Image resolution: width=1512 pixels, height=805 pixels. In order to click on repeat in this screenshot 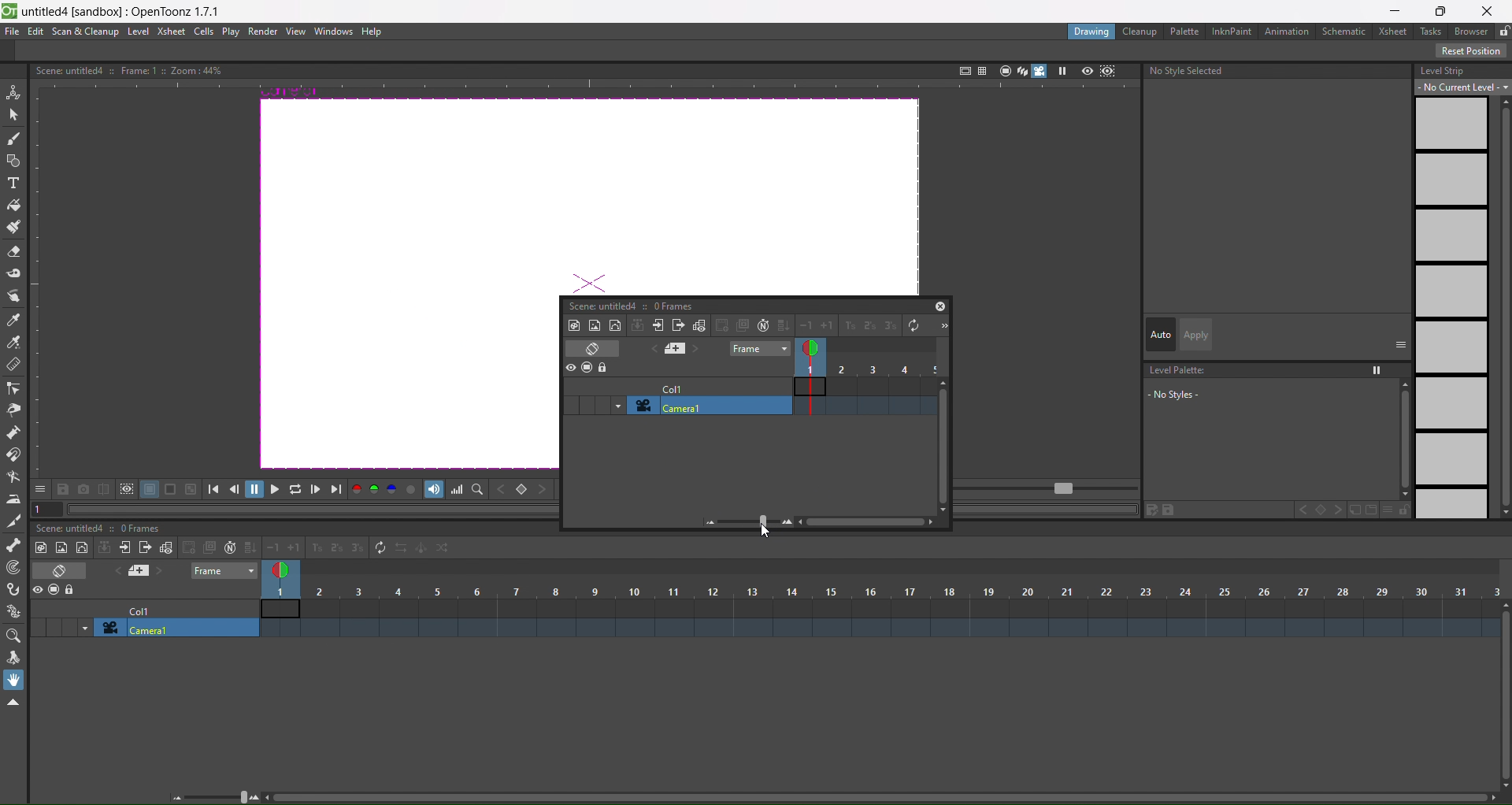, I will do `click(376, 547)`.